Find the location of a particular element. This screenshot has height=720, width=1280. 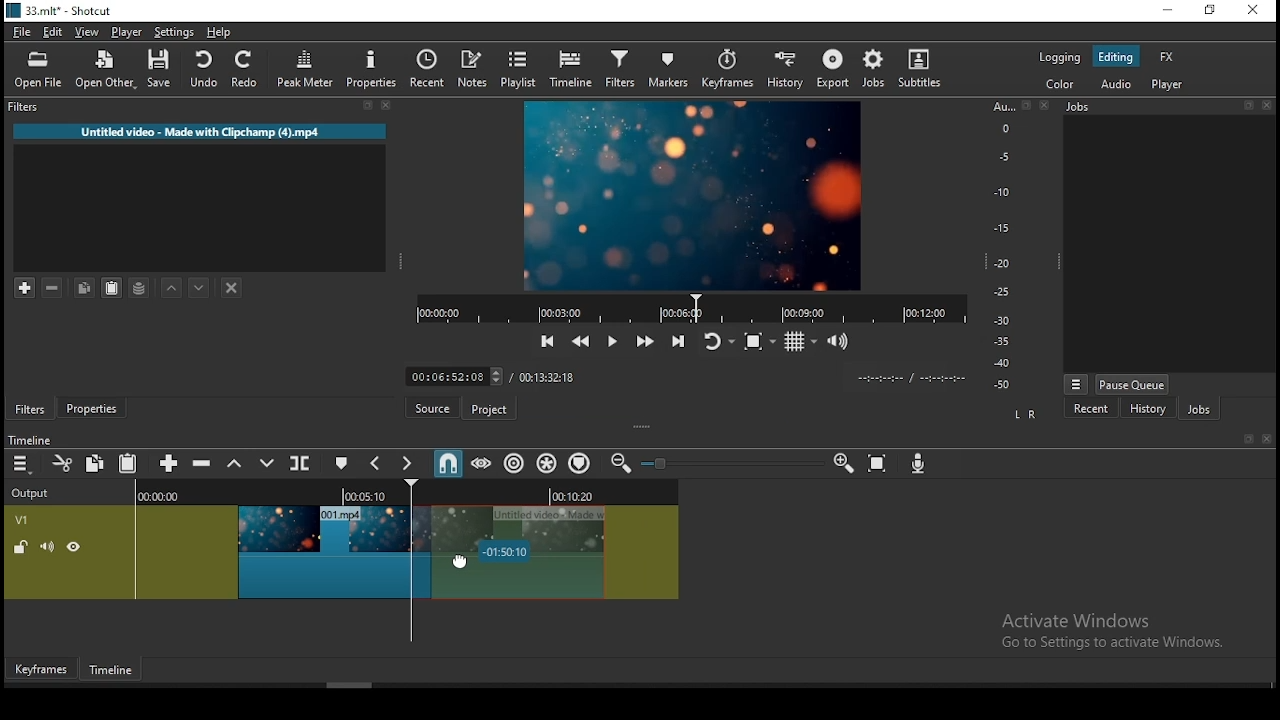

zoom timeline out is located at coordinates (623, 464).